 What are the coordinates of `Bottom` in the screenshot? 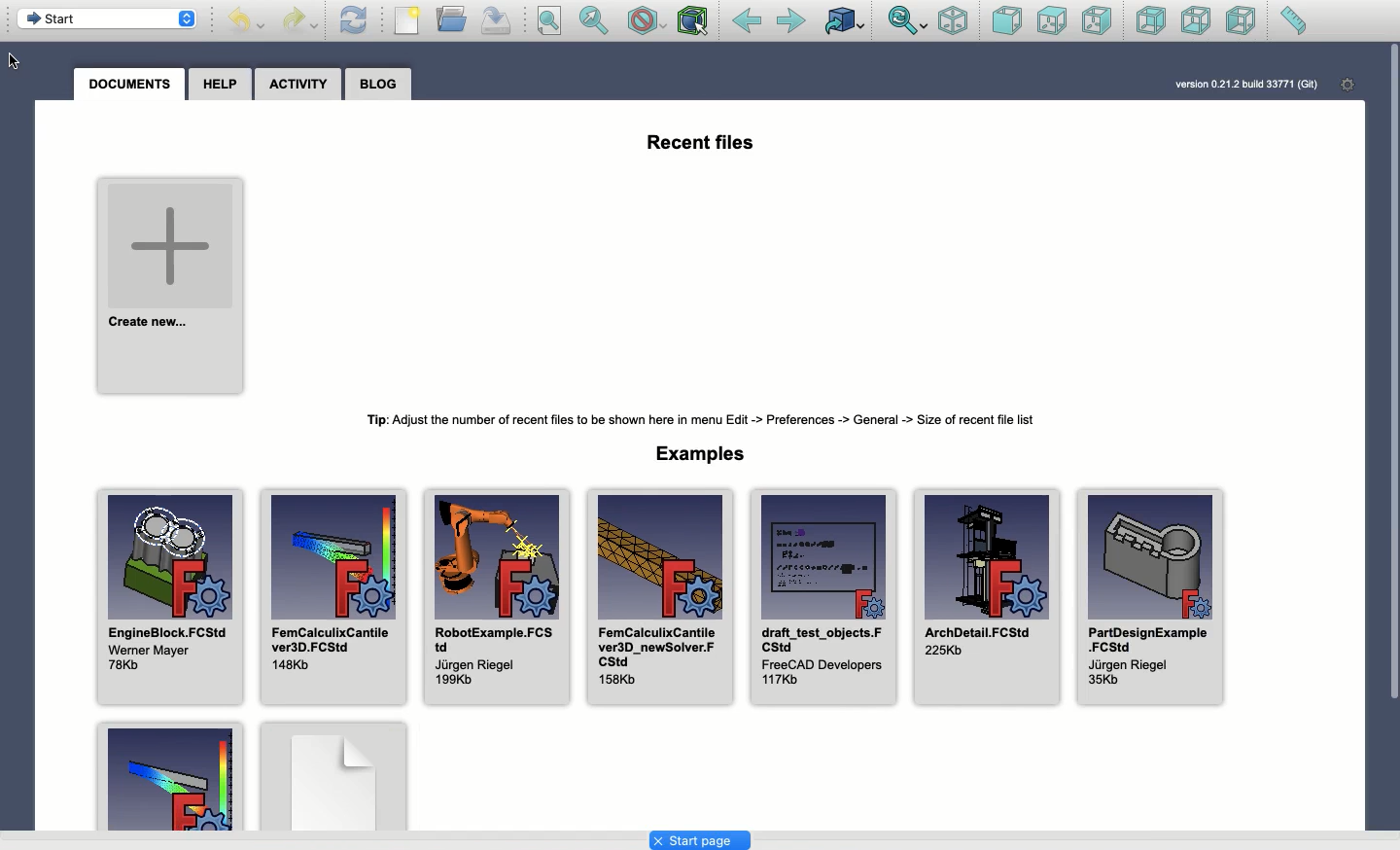 It's located at (1197, 21).